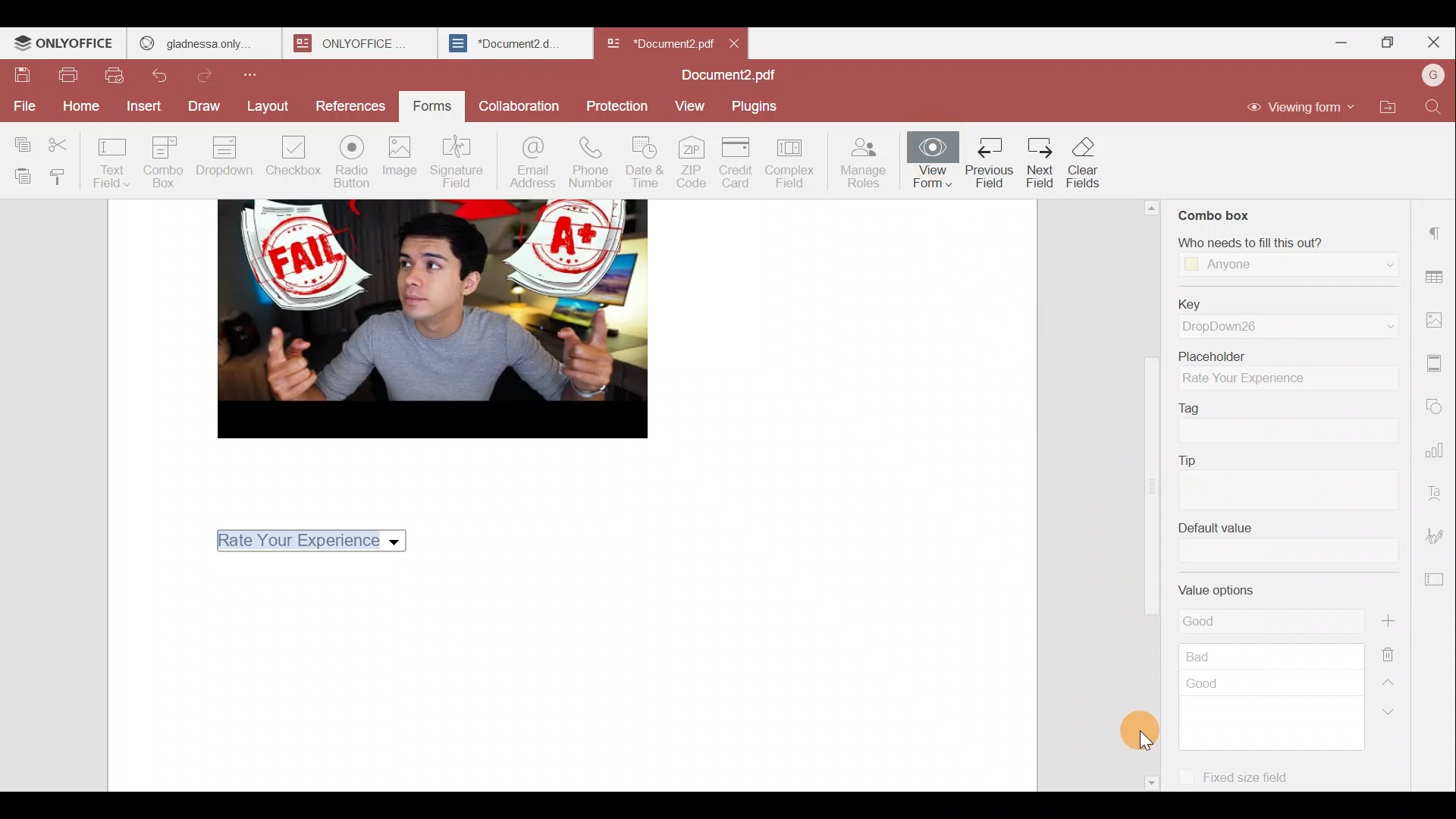 The width and height of the screenshot is (1456, 819). What do you see at coordinates (505, 41) in the screenshot?
I see `*Document2.d.` at bounding box center [505, 41].